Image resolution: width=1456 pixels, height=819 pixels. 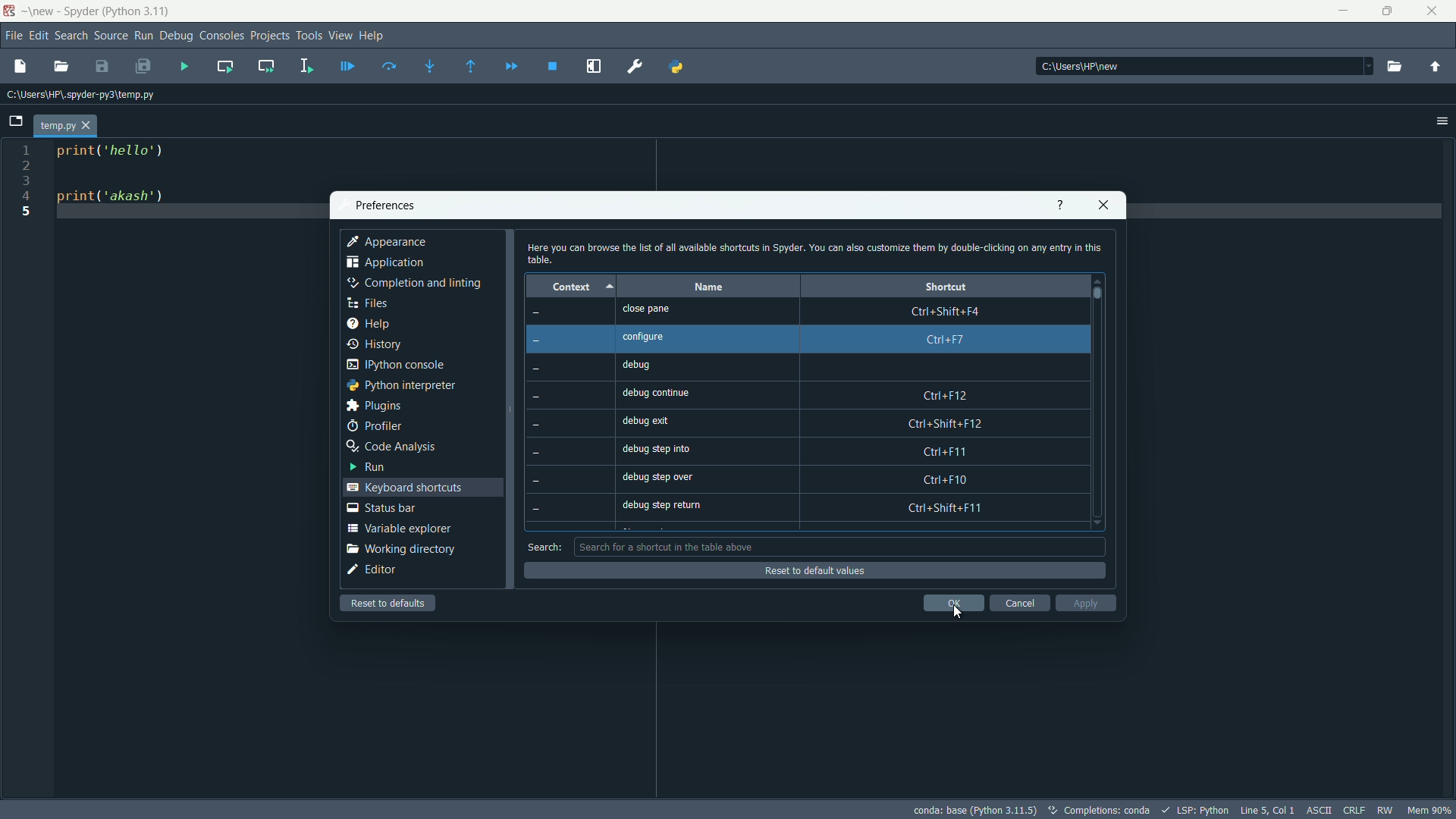 What do you see at coordinates (270, 36) in the screenshot?
I see `projects menu` at bounding box center [270, 36].